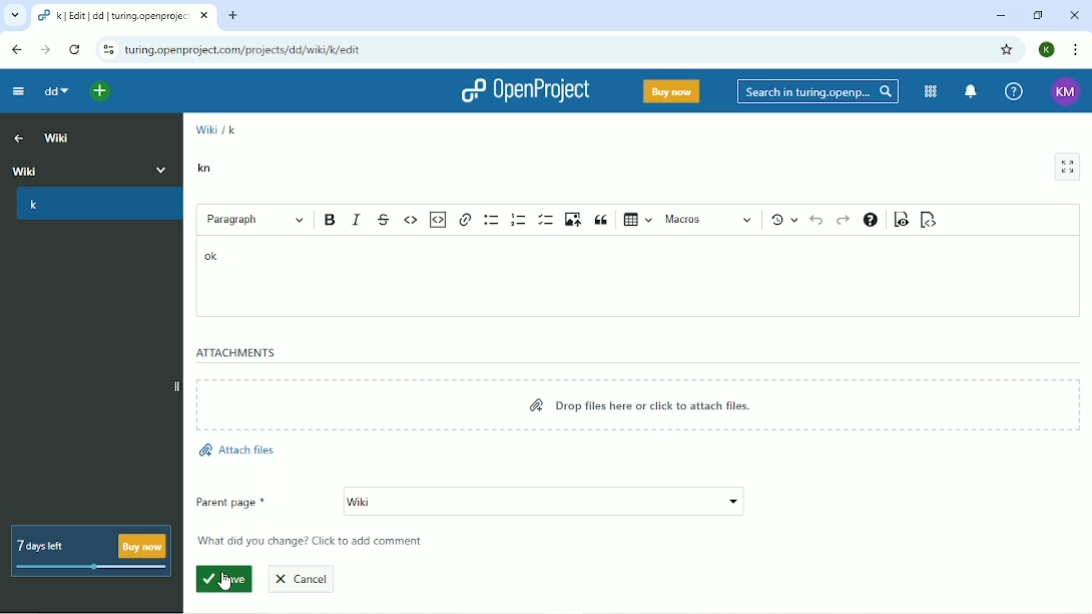 Image resolution: width=1092 pixels, height=614 pixels. I want to click on Modules, so click(929, 91).